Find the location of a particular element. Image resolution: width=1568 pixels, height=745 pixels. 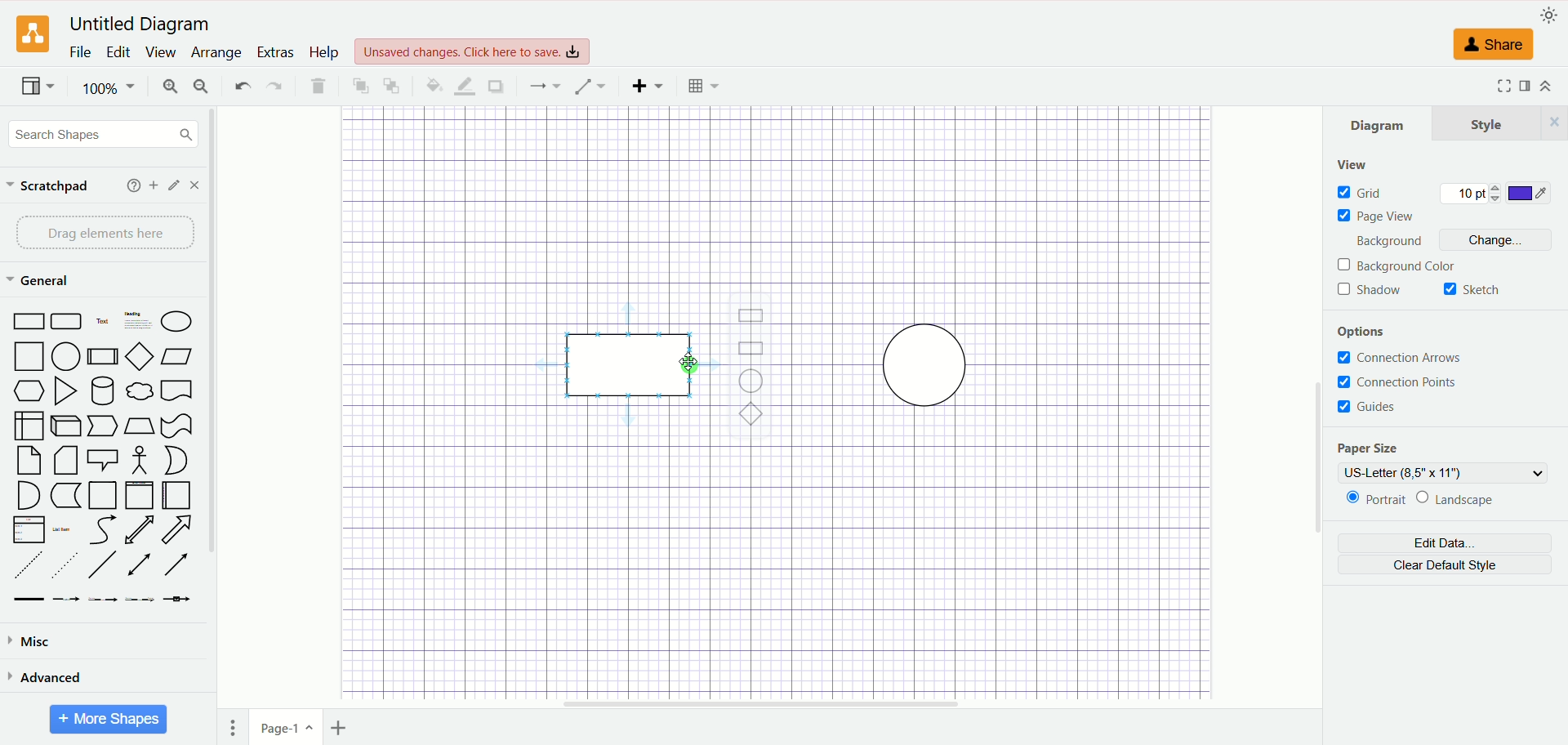

view is located at coordinates (1363, 164).